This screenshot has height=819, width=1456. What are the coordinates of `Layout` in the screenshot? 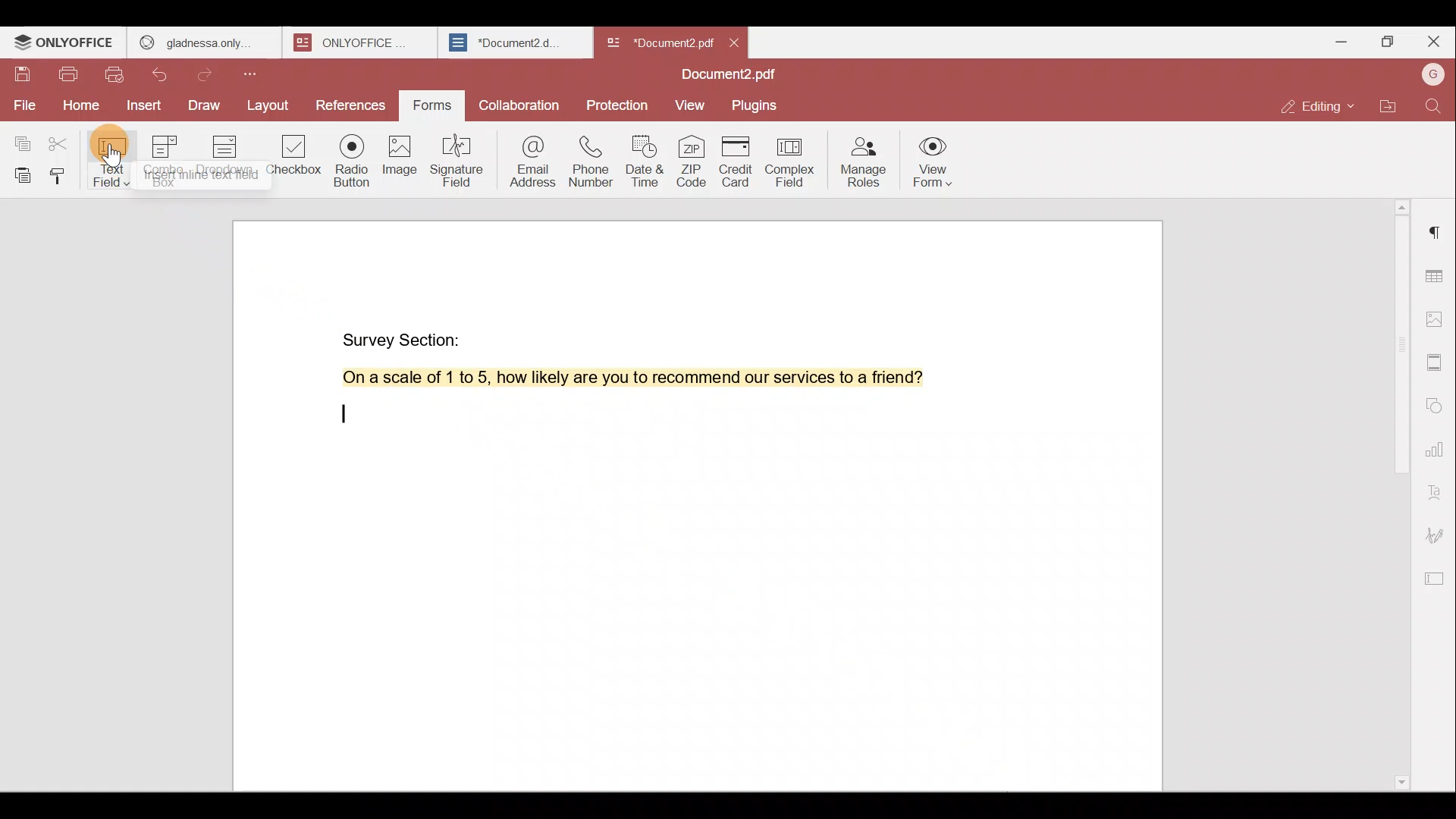 It's located at (268, 106).